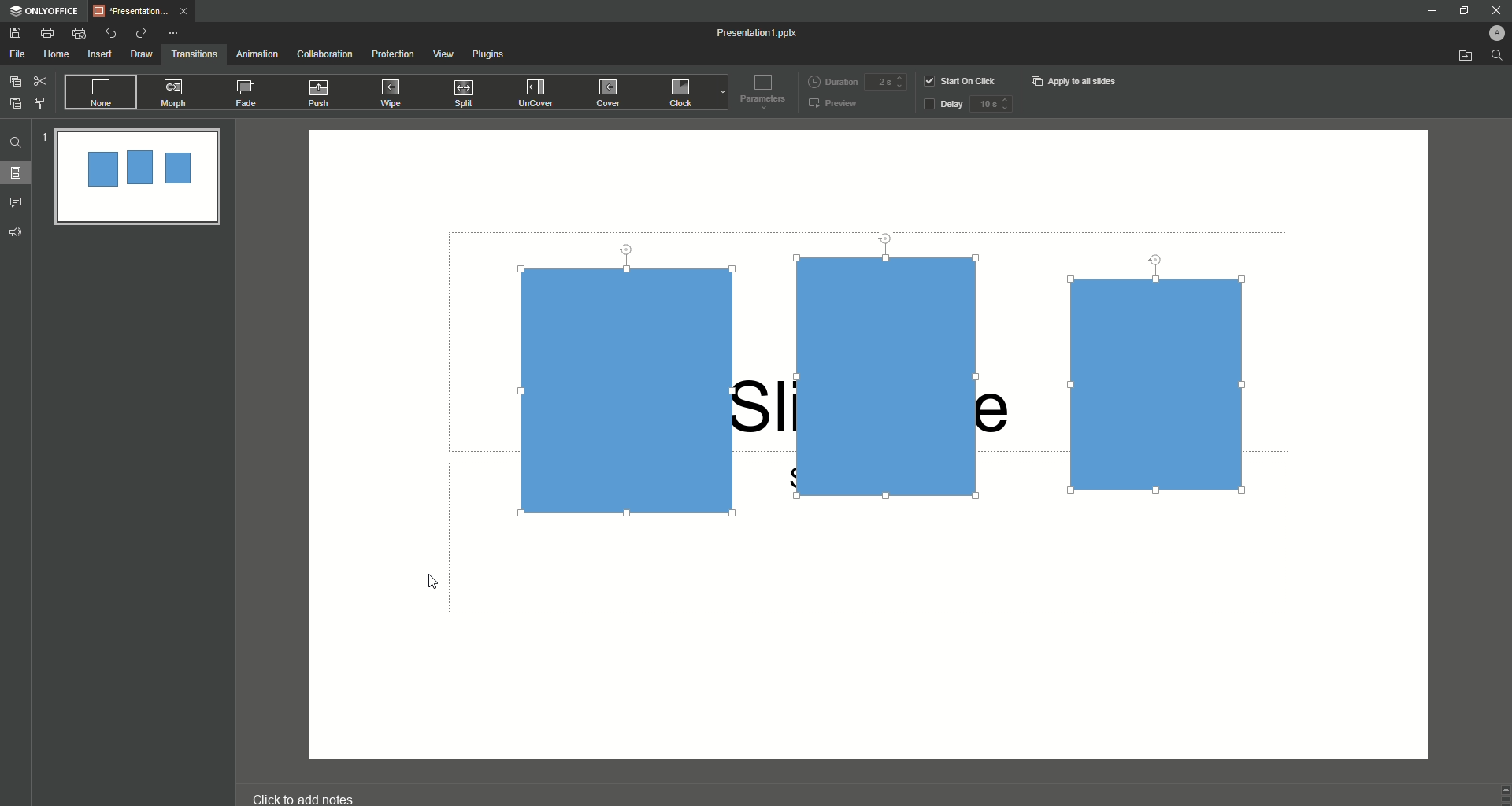 This screenshot has width=1512, height=806. Describe the element at coordinates (16, 33) in the screenshot. I see `Save` at that location.